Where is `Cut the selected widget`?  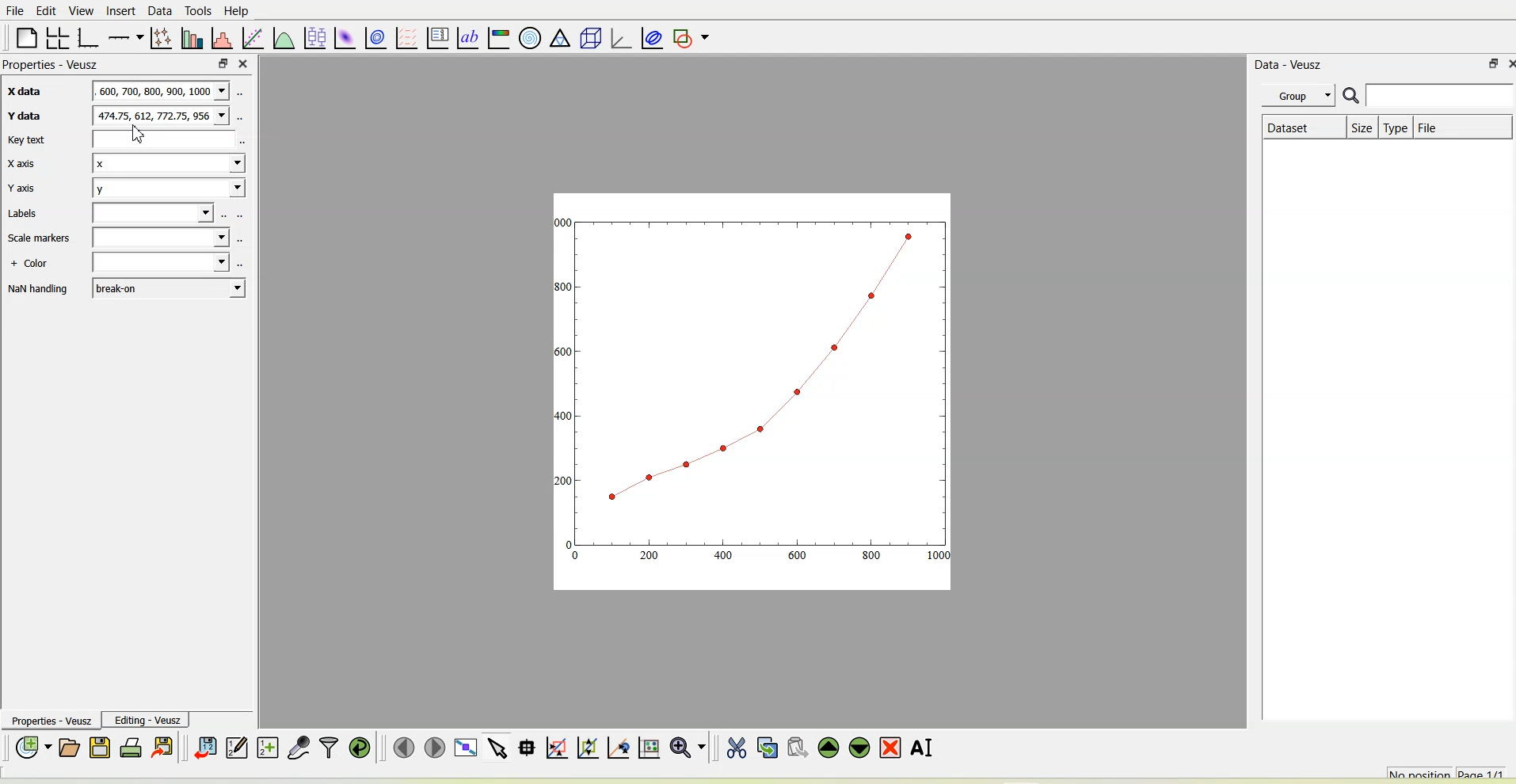
Cut the selected widget is located at coordinates (736, 748).